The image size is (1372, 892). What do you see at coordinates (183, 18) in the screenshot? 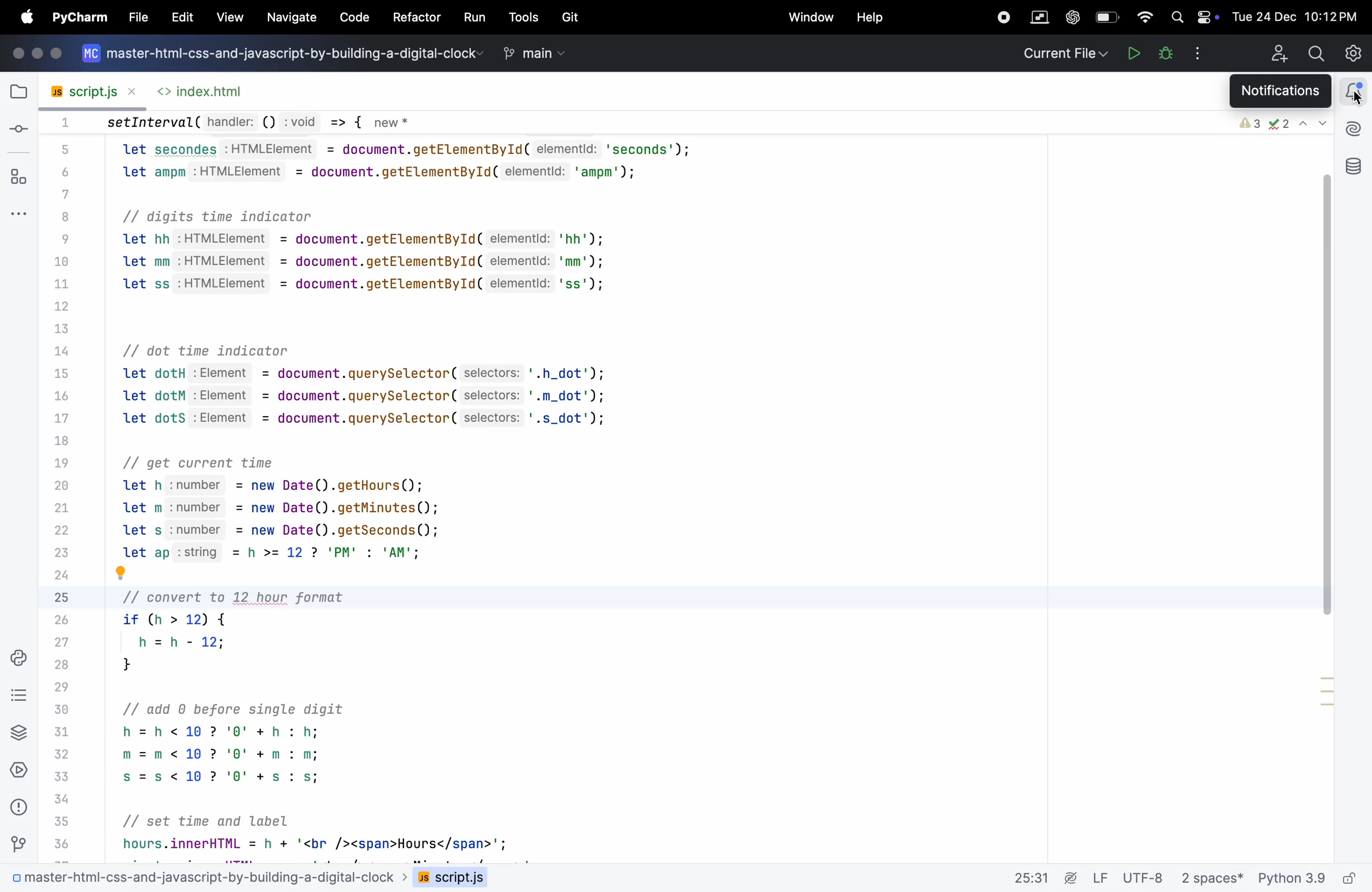
I see `EDIT` at bounding box center [183, 18].